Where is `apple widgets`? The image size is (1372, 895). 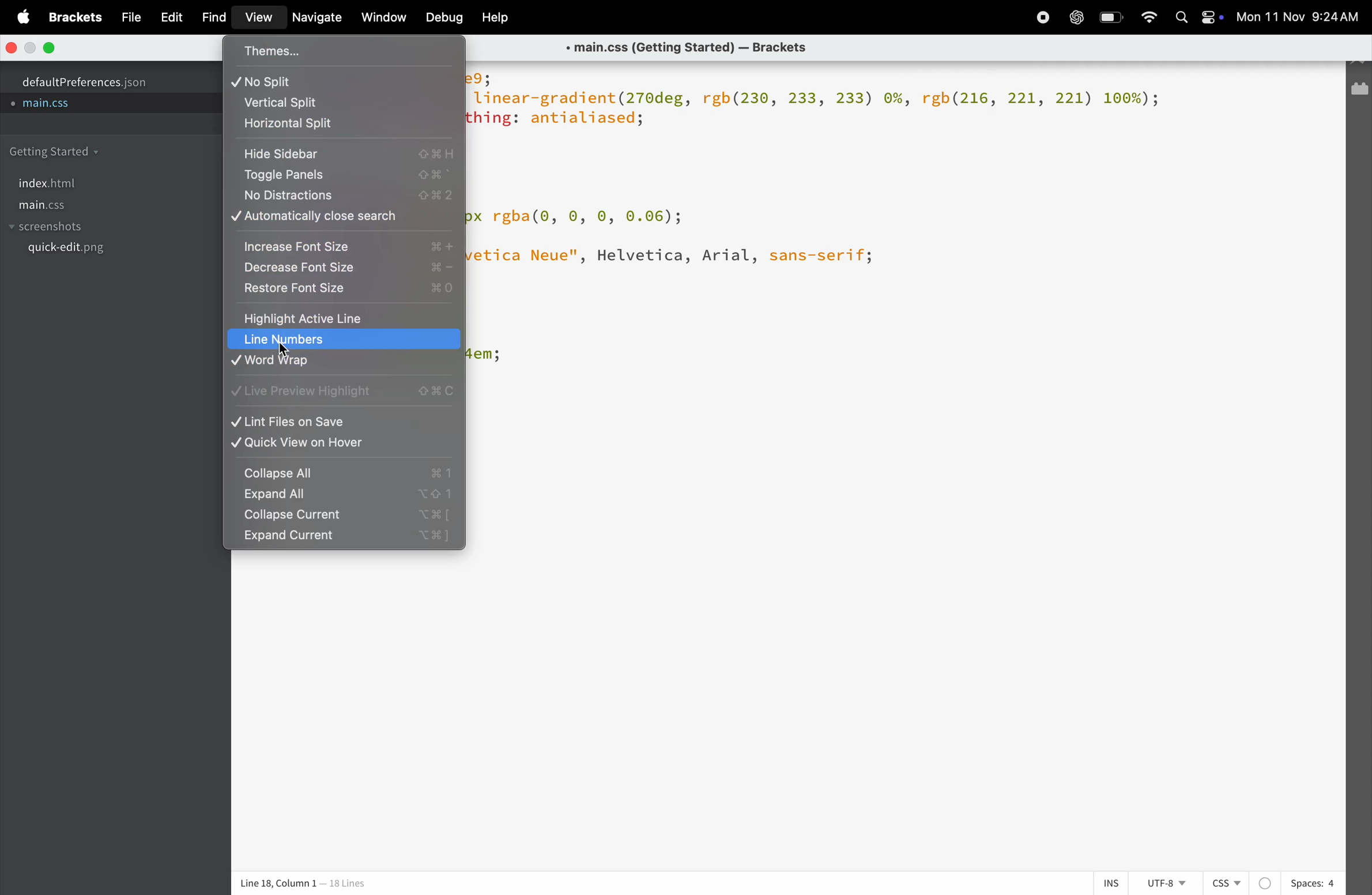 apple widgets is located at coordinates (1197, 18).